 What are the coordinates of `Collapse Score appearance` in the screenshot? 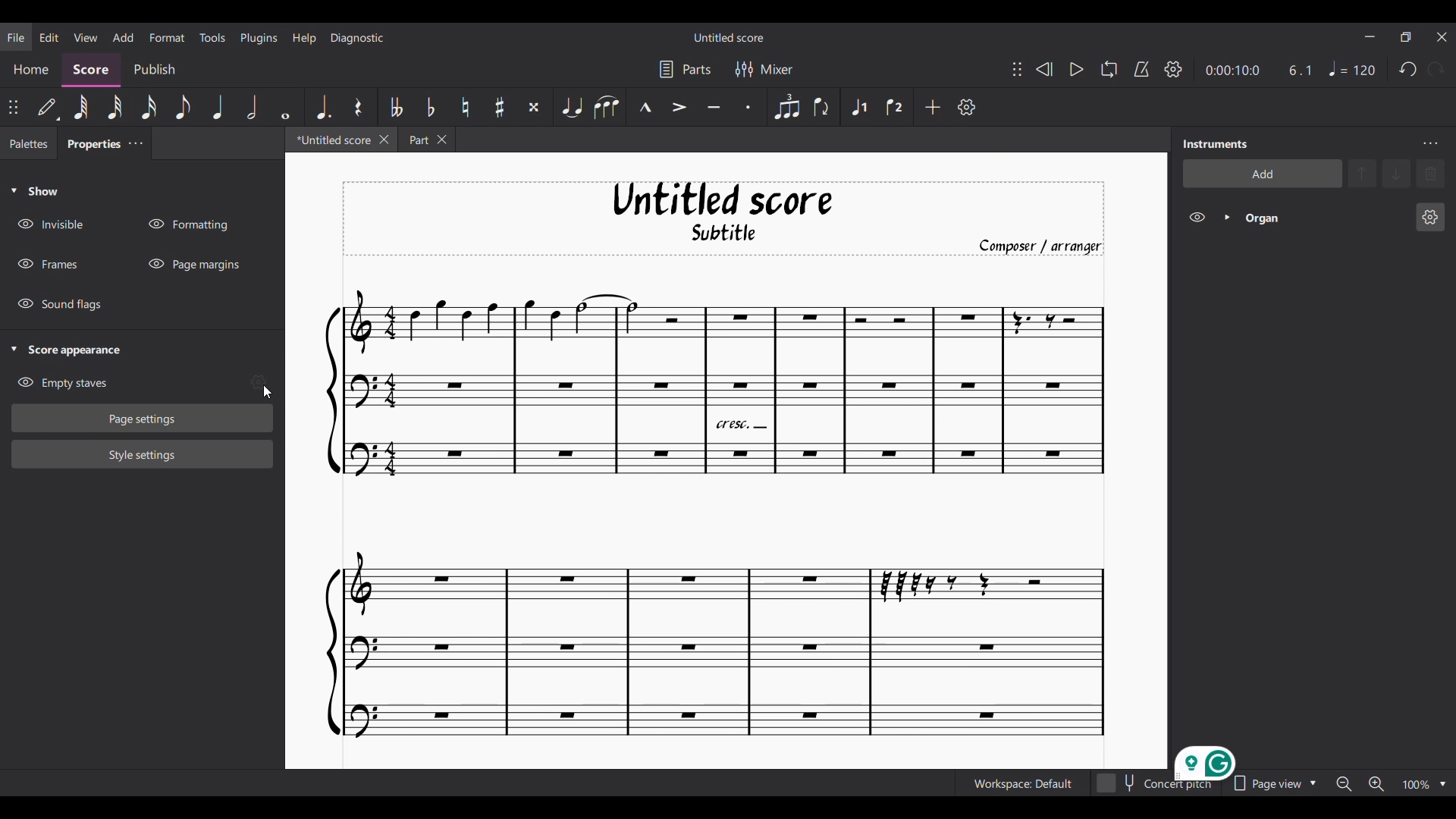 It's located at (67, 351).